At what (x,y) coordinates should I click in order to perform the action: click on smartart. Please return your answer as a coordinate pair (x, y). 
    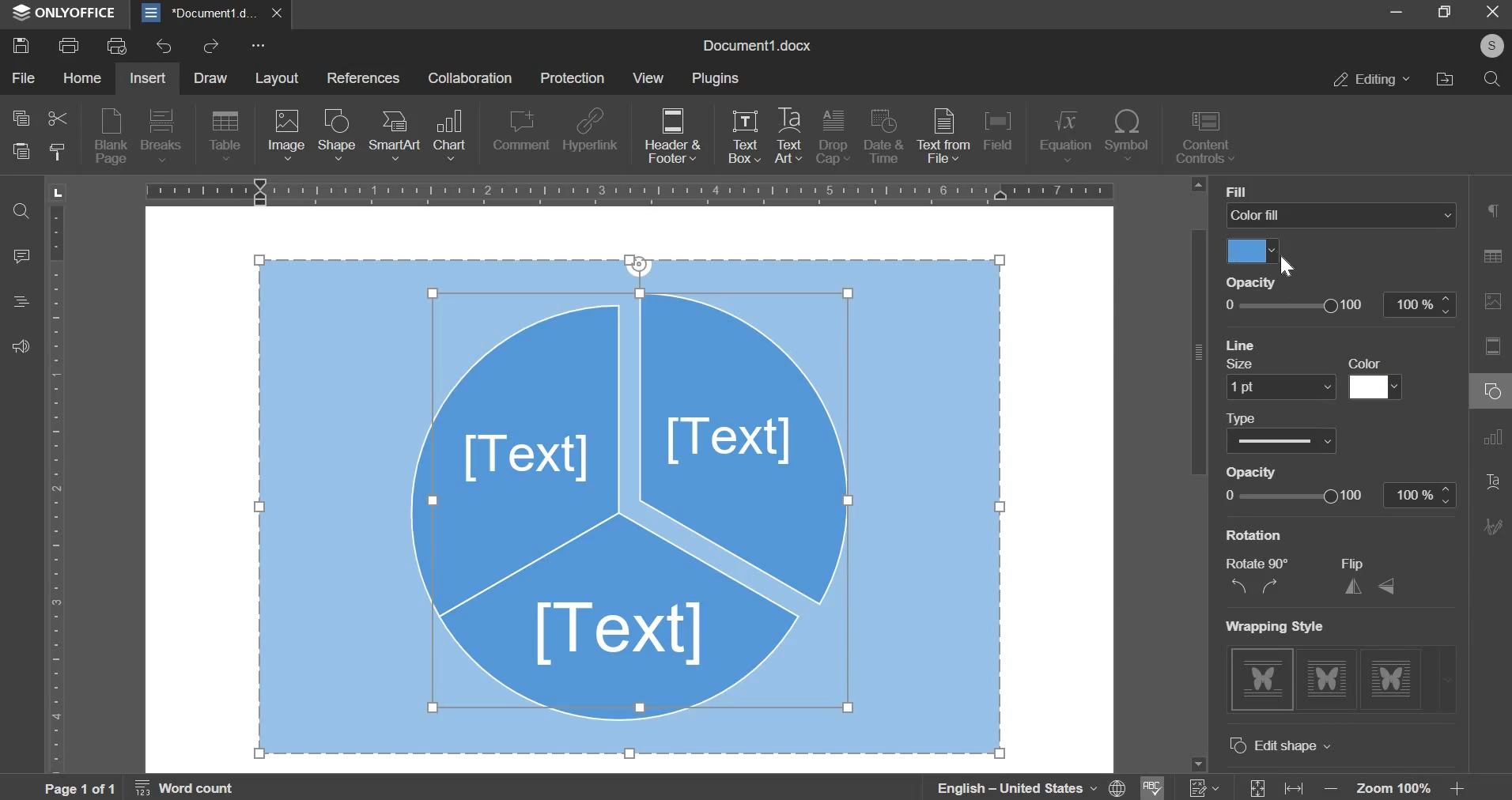
    Looking at the image, I should click on (395, 134).